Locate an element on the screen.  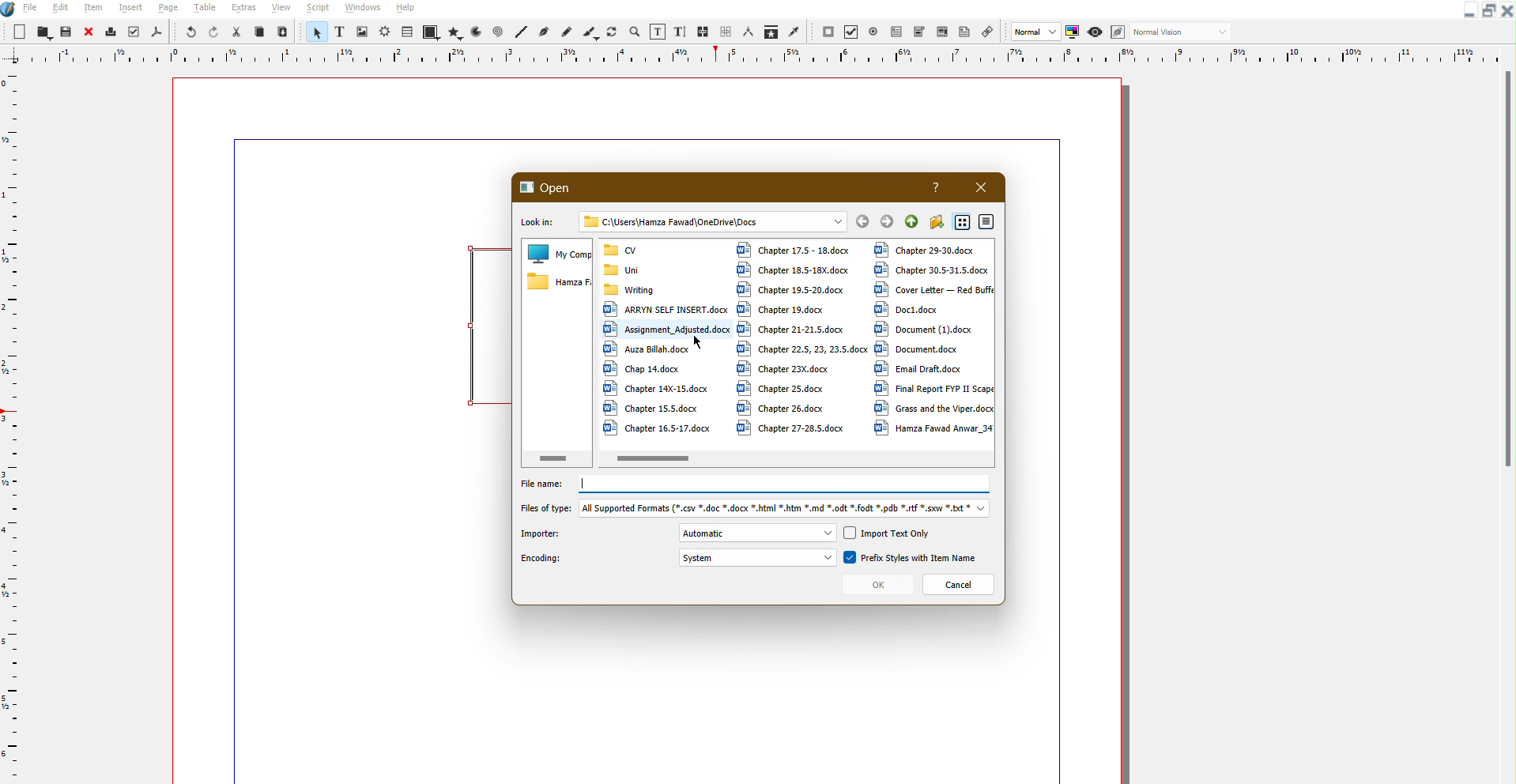
Files is located at coordinates (797, 355).